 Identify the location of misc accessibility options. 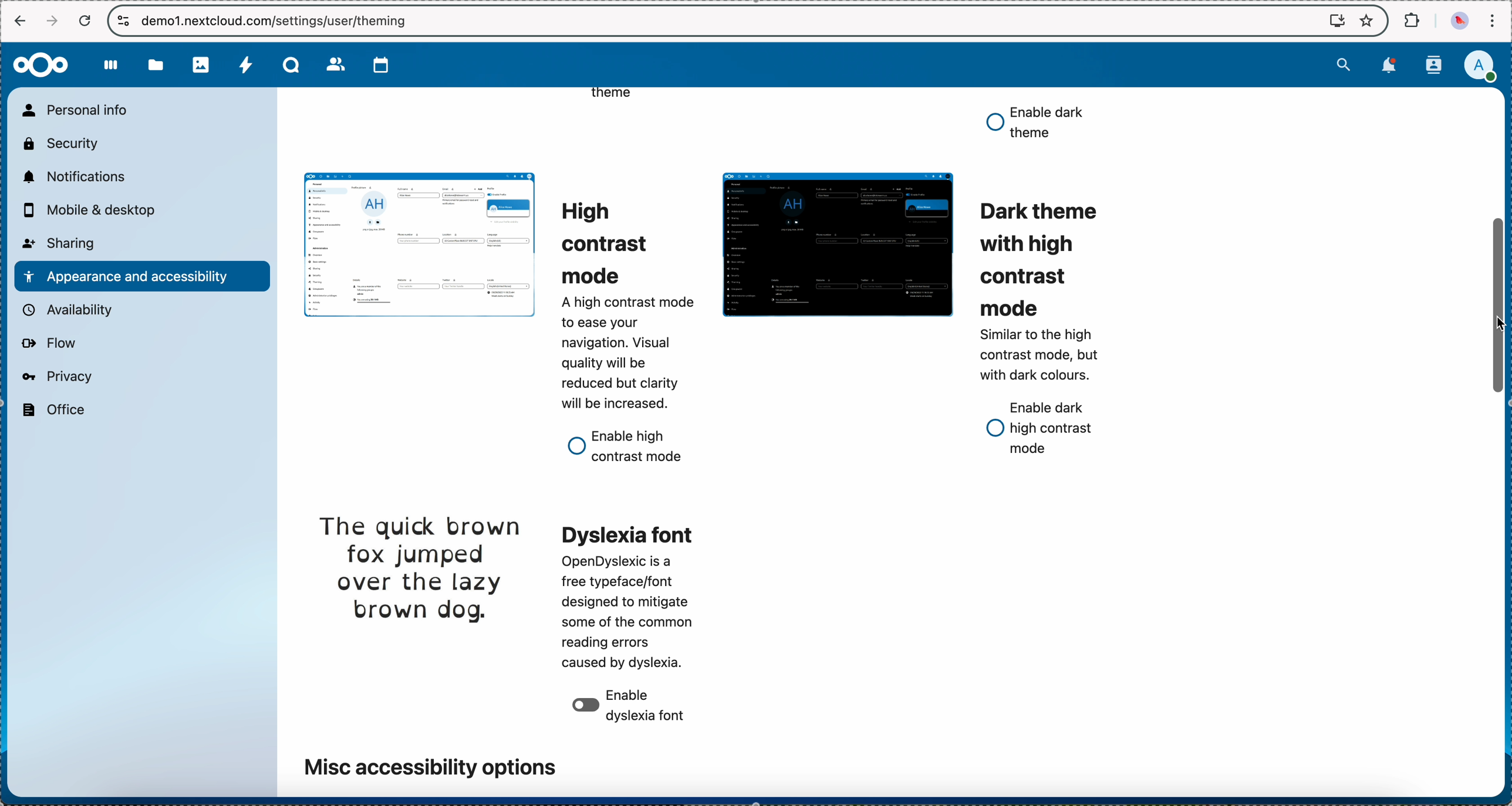
(429, 765).